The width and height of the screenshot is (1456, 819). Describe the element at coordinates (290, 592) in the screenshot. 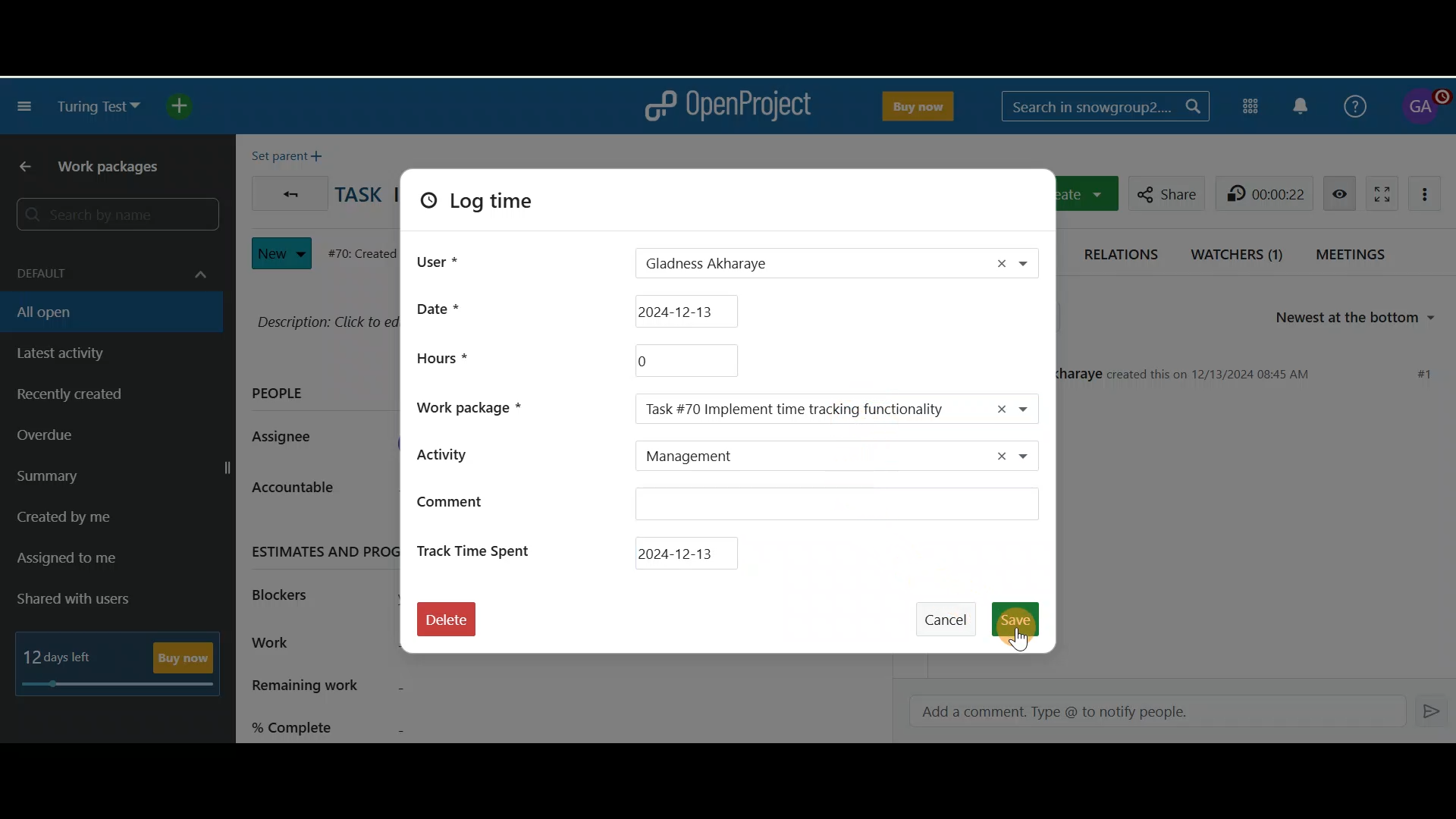

I see `Blockers` at that location.